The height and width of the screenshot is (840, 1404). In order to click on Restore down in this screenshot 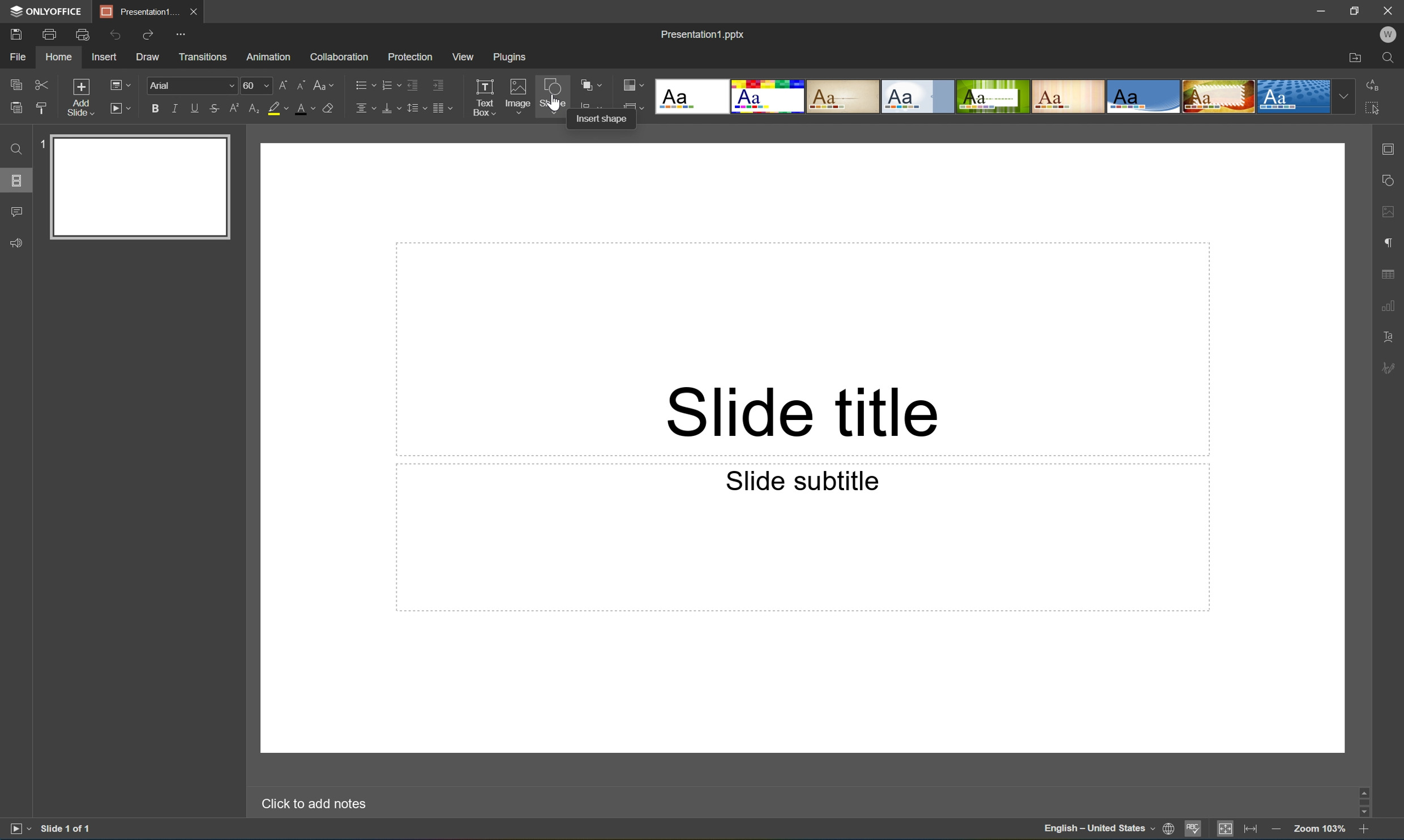, I will do `click(1352, 11)`.